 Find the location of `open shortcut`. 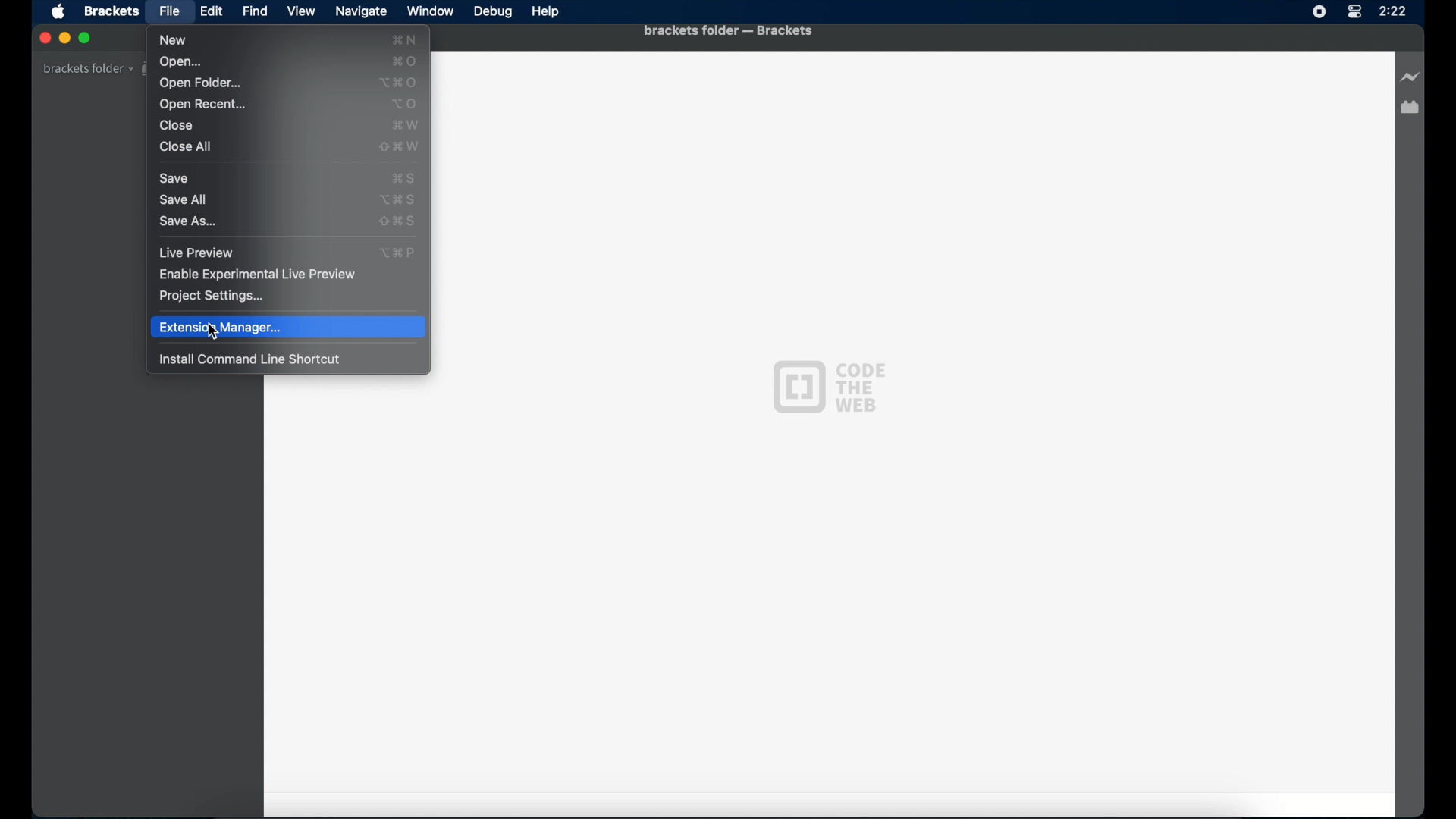

open shortcut is located at coordinates (405, 61).